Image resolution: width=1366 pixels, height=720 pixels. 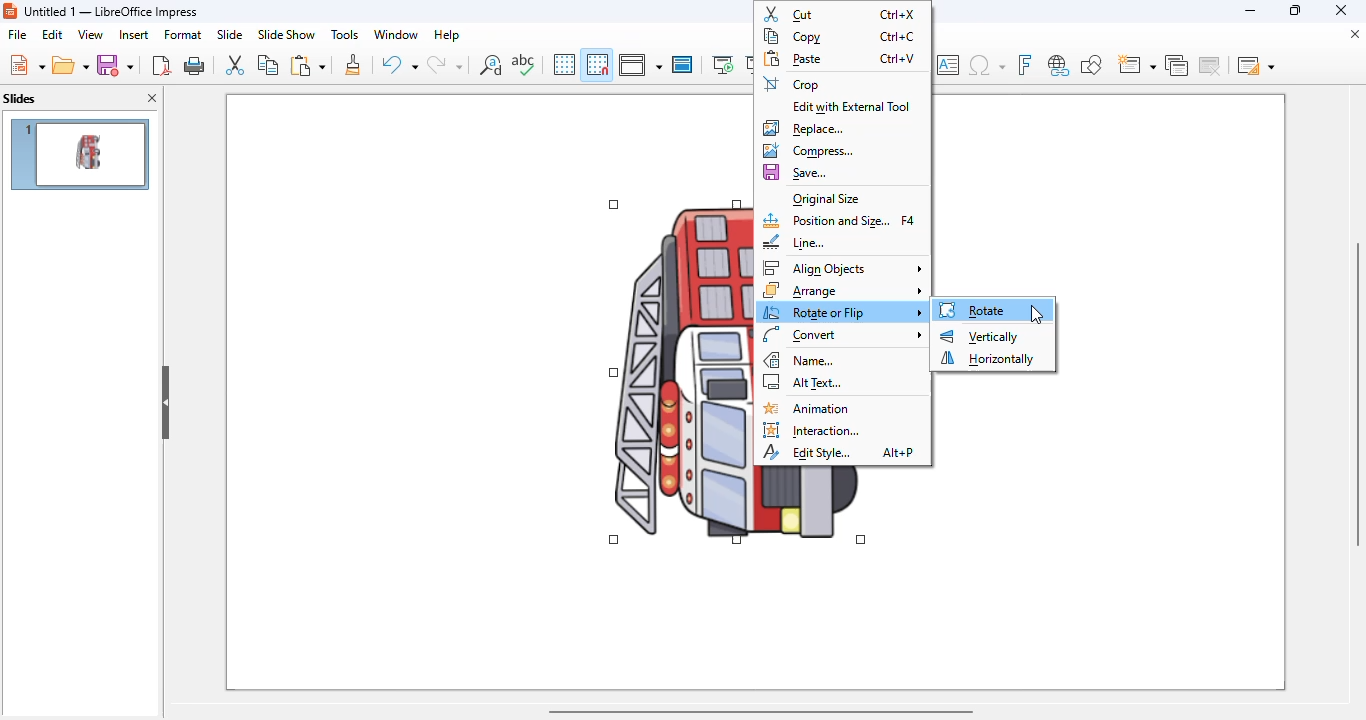 I want to click on logo, so click(x=10, y=10).